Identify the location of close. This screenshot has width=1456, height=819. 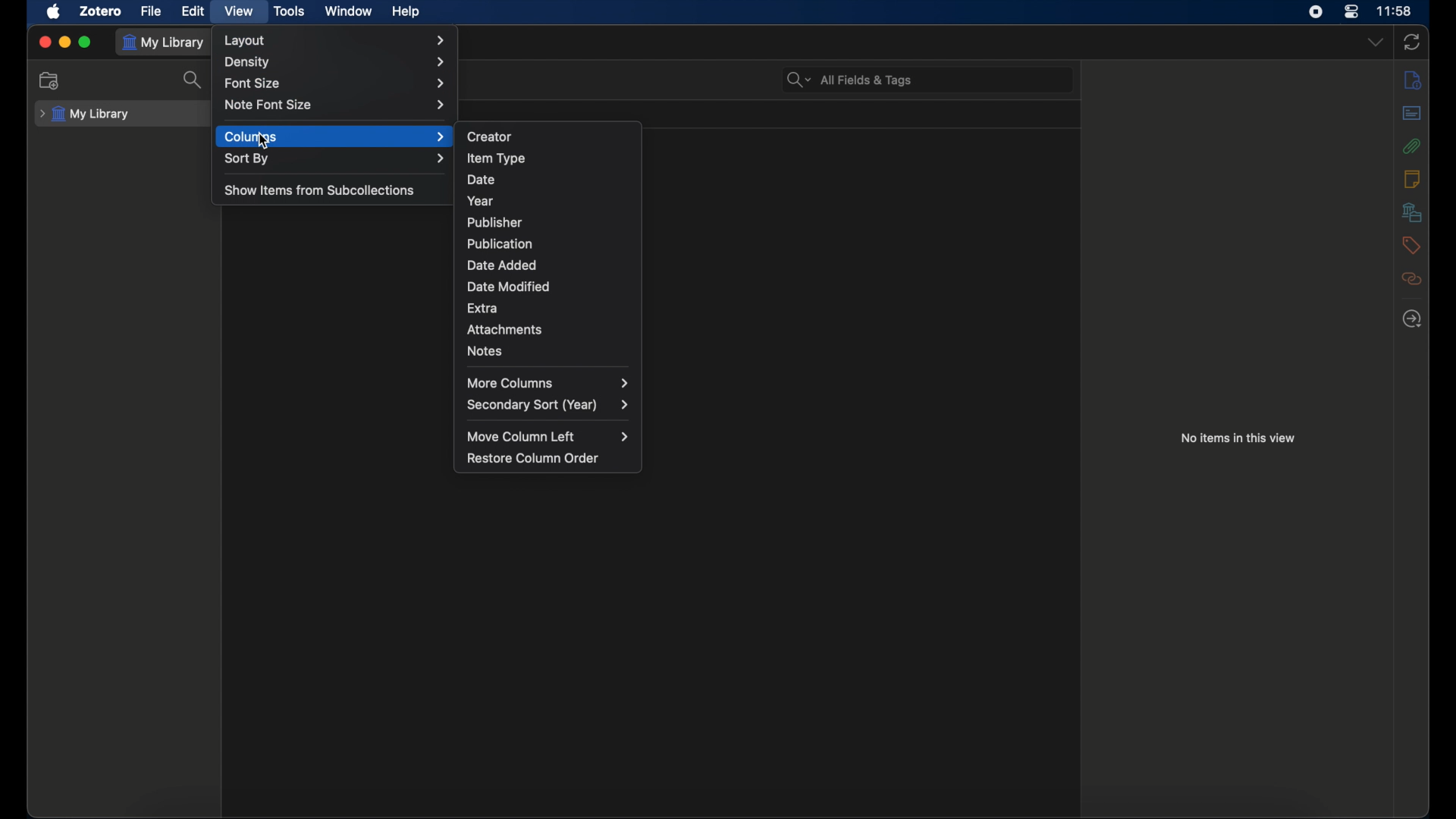
(44, 42).